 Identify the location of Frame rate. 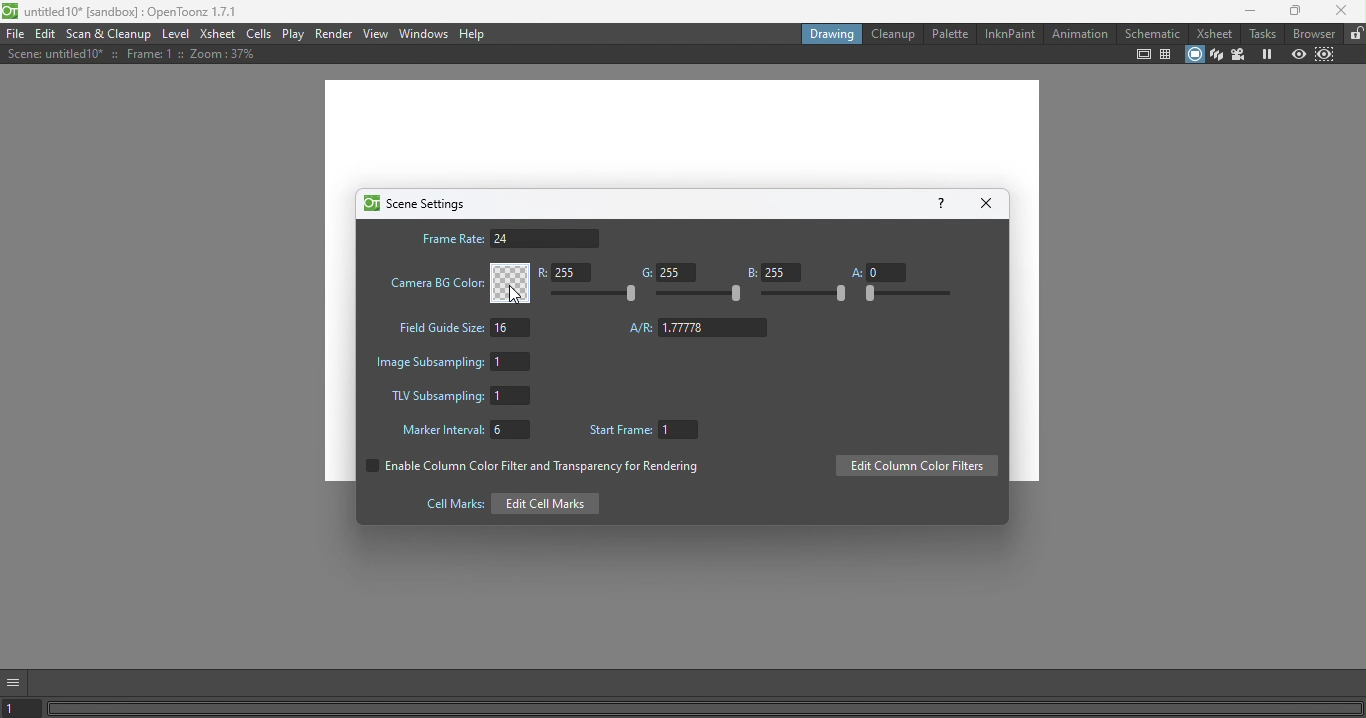
(509, 238).